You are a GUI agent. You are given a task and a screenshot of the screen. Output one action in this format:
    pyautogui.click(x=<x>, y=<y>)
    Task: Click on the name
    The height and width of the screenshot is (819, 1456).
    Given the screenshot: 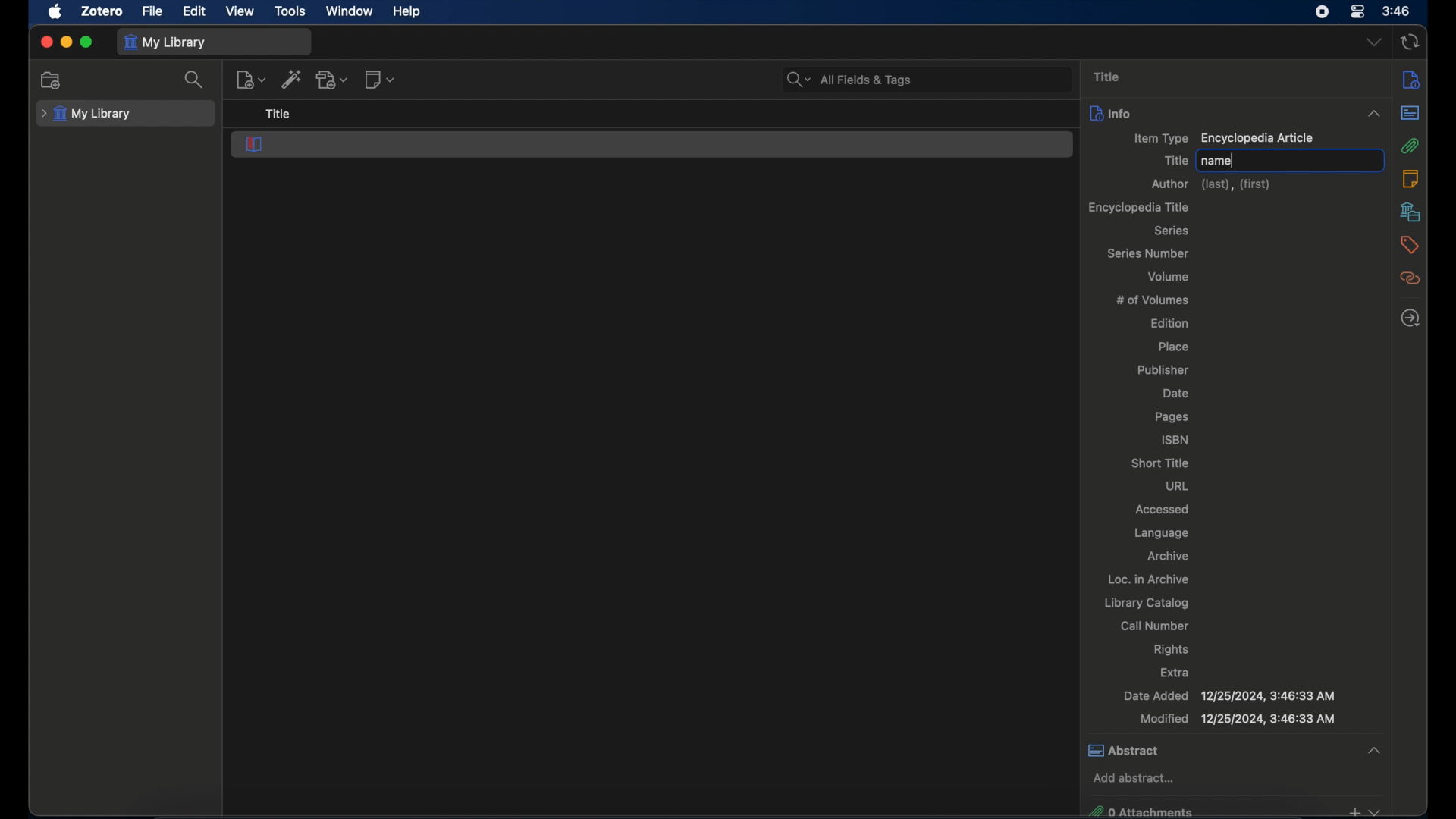 What is the action you would take?
    pyautogui.click(x=1218, y=162)
    